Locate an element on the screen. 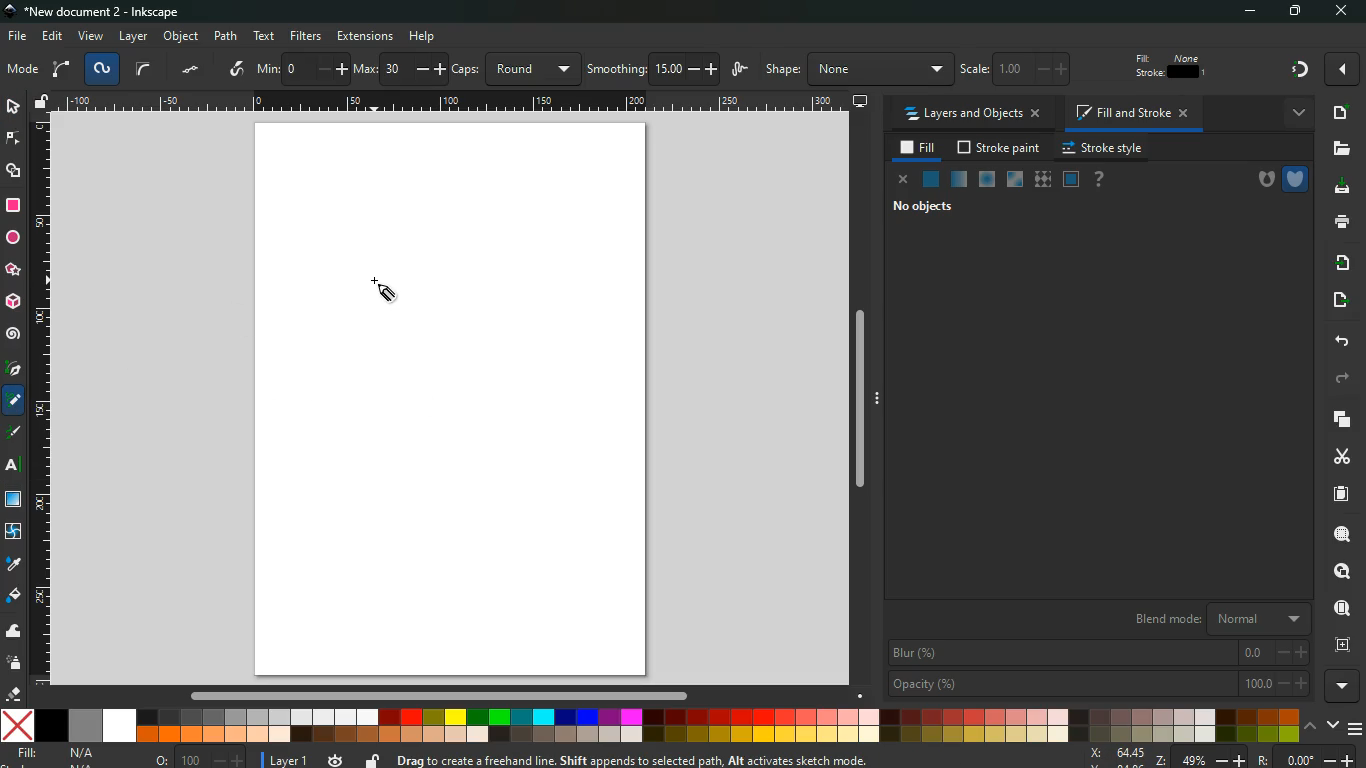 The width and height of the screenshot is (1366, 768). inkscape is located at coordinates (106, 11).